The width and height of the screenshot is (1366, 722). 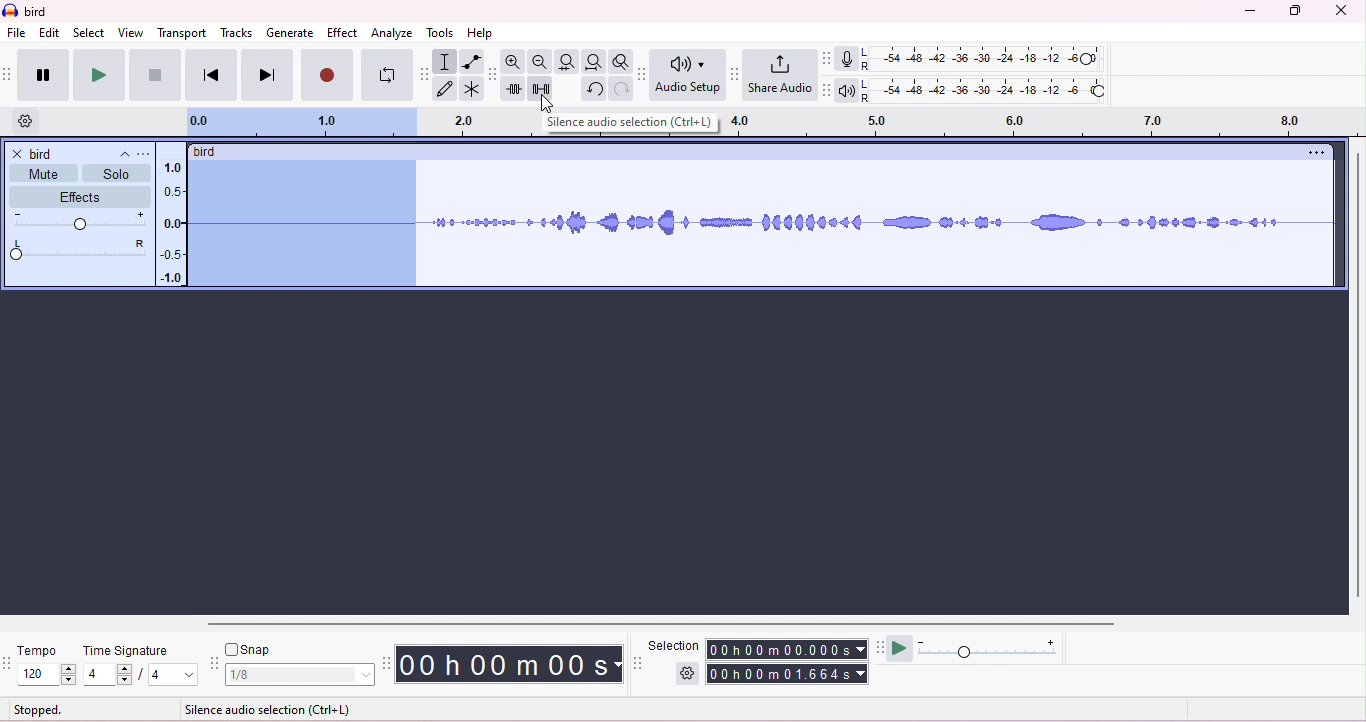 What do you see at coordinates (1293, 11) in the screenshot?
I see `maximize` at bounding box center [1293, 11].